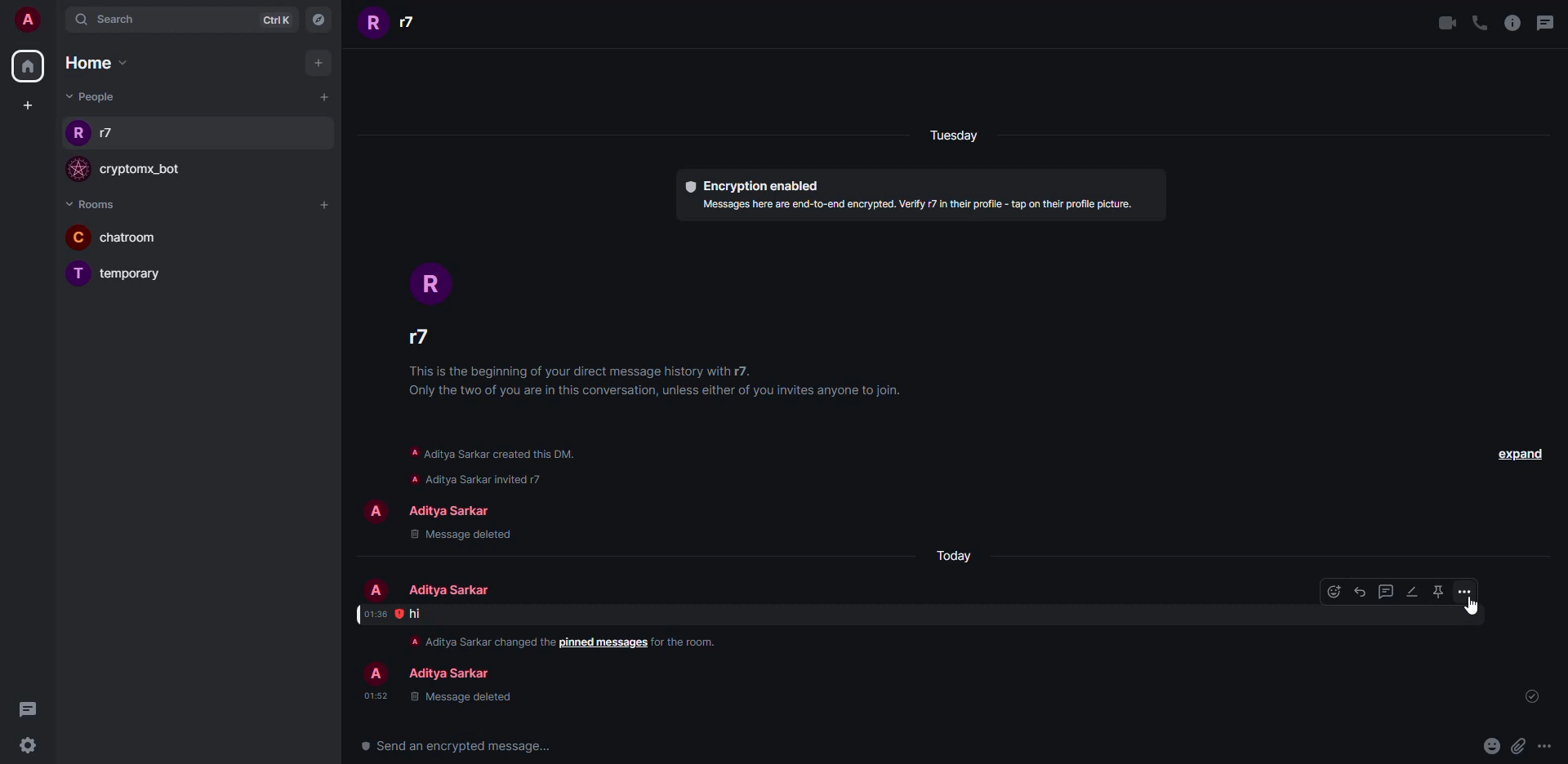 This screenshot has width=1568, height=764. Describe the element at coordinates (90, 205) in the screenshot. I see `rooms` at that location.